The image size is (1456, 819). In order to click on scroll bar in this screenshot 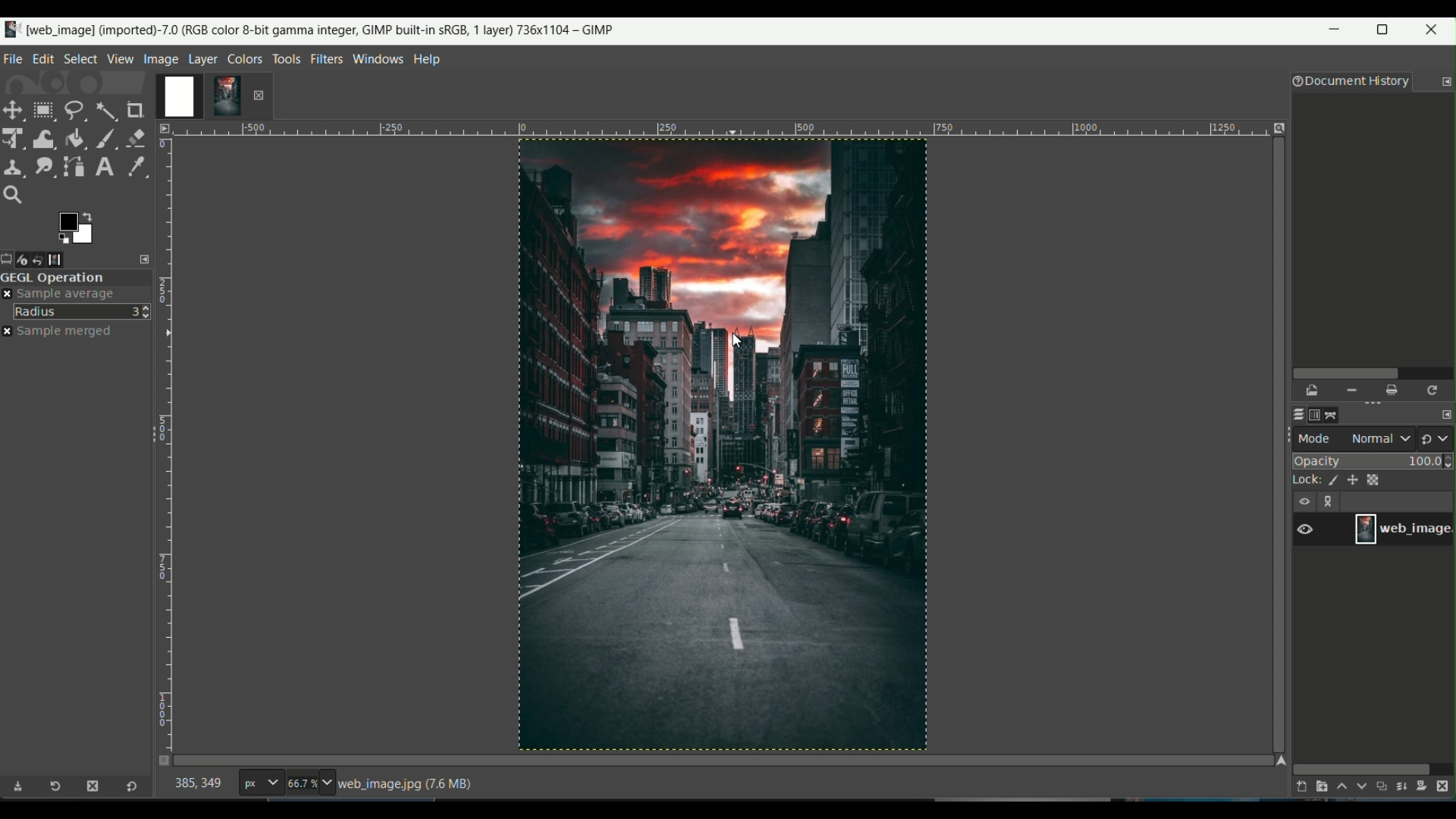, I will do `click(1370, 372)`.